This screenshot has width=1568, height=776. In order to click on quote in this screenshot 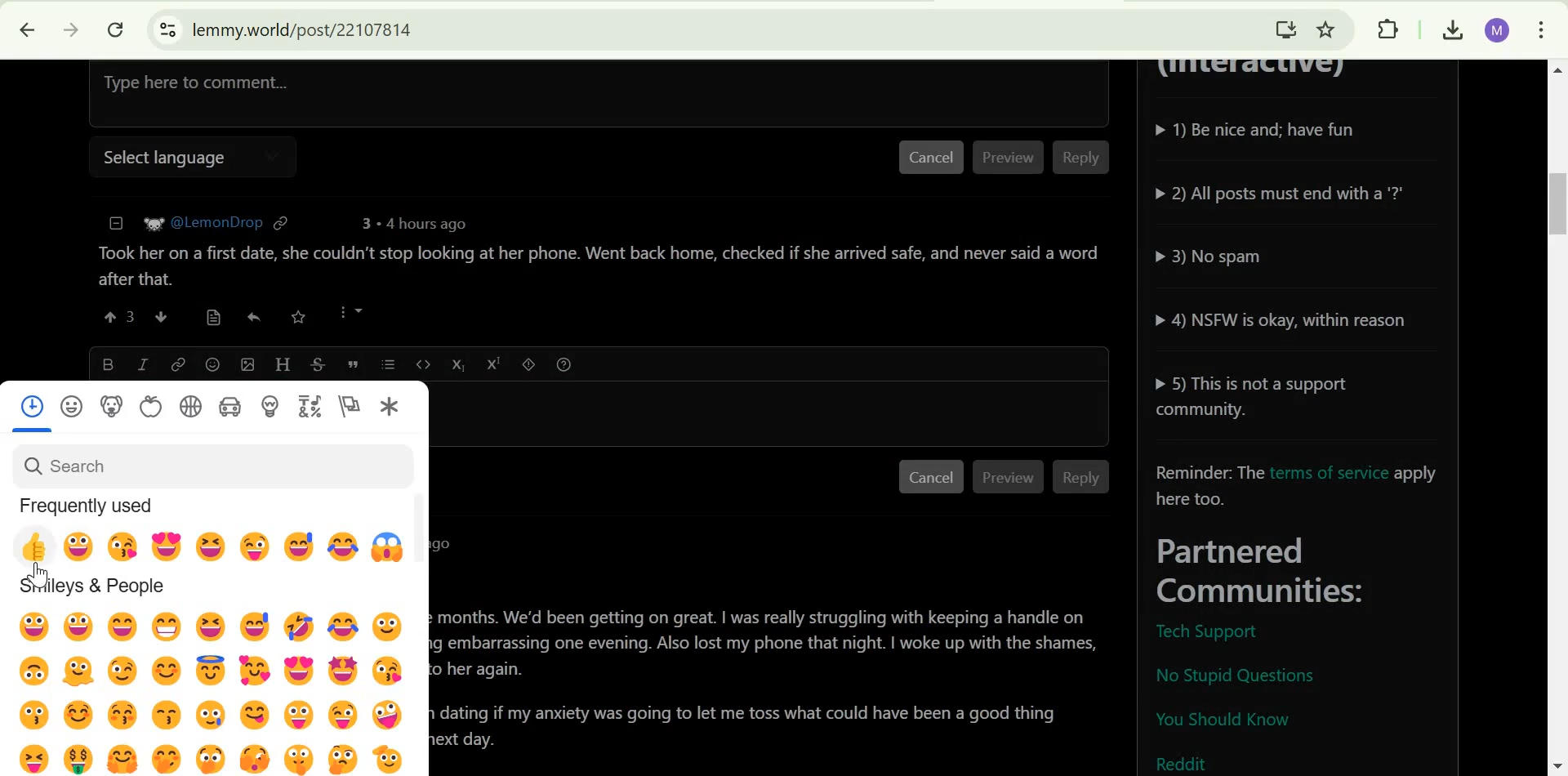, I will do `click(354, 364)`.